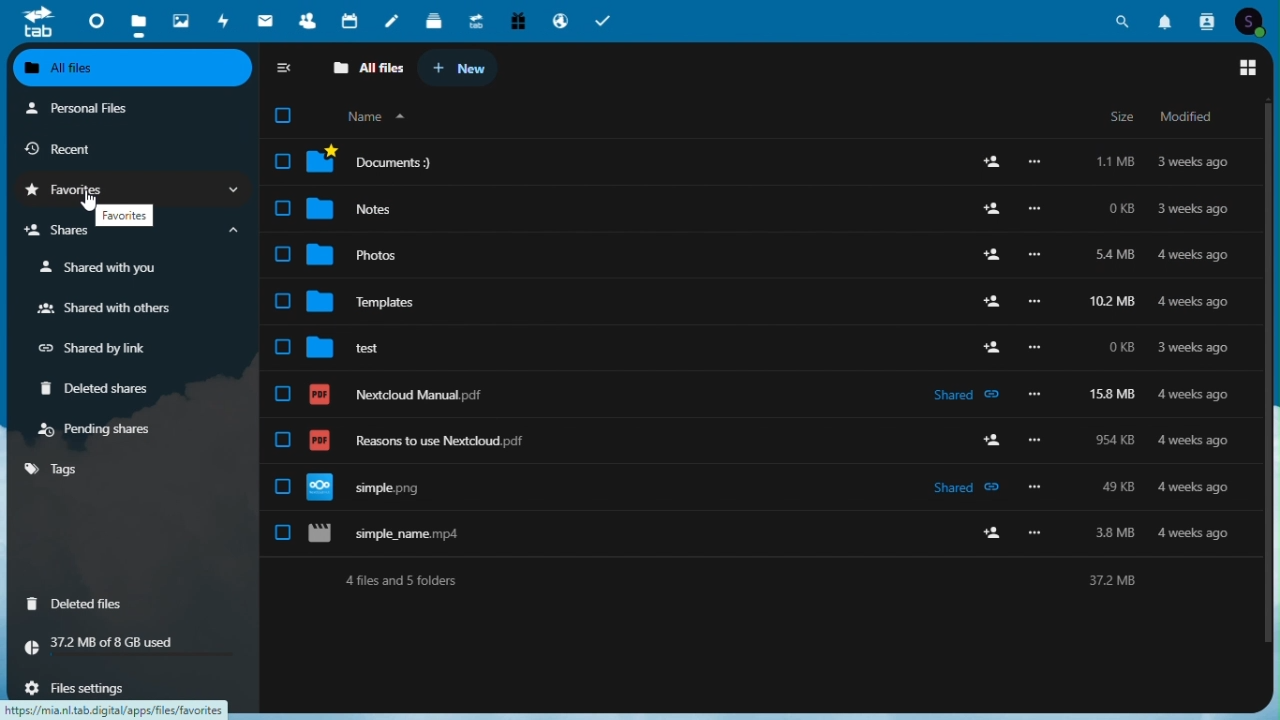 The height and width of the screenshot is (720, 1280). What do you see at coordinates (608, 19) in the screenshot?
I see `Task ` at bounding box center [608, 19].